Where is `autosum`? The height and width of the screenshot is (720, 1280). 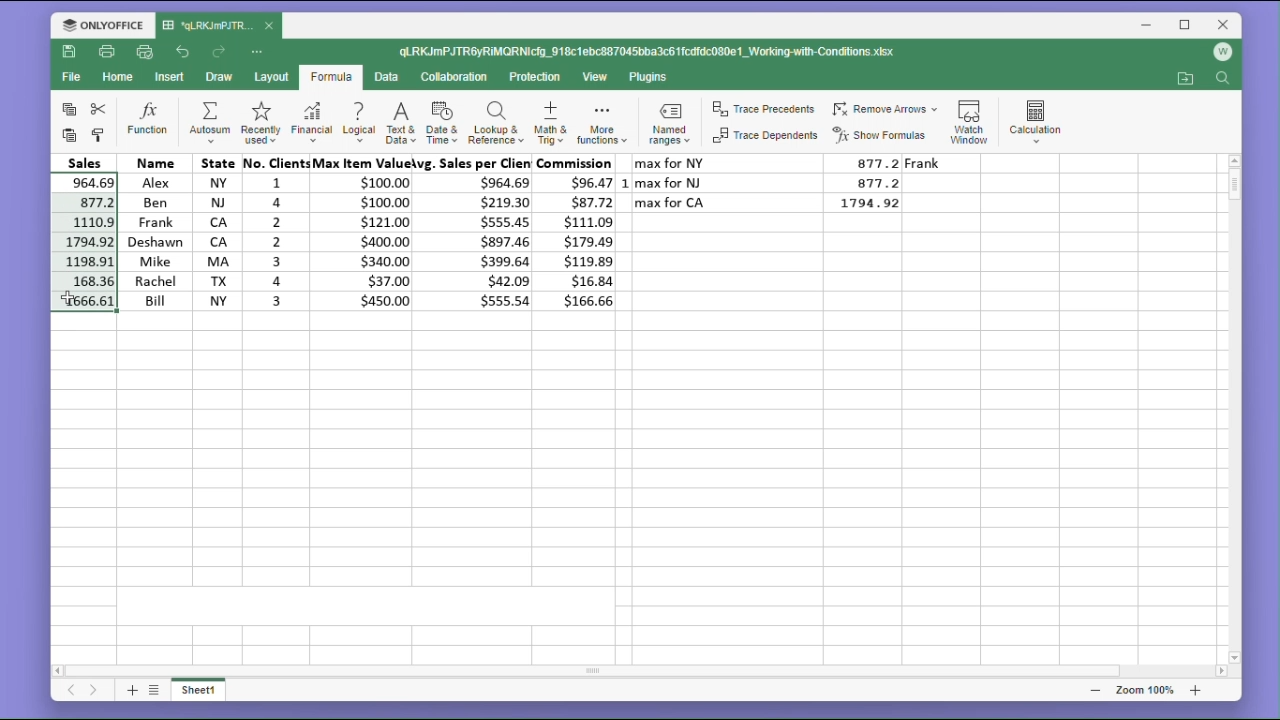 autosum is located at coordinates (209, 122).